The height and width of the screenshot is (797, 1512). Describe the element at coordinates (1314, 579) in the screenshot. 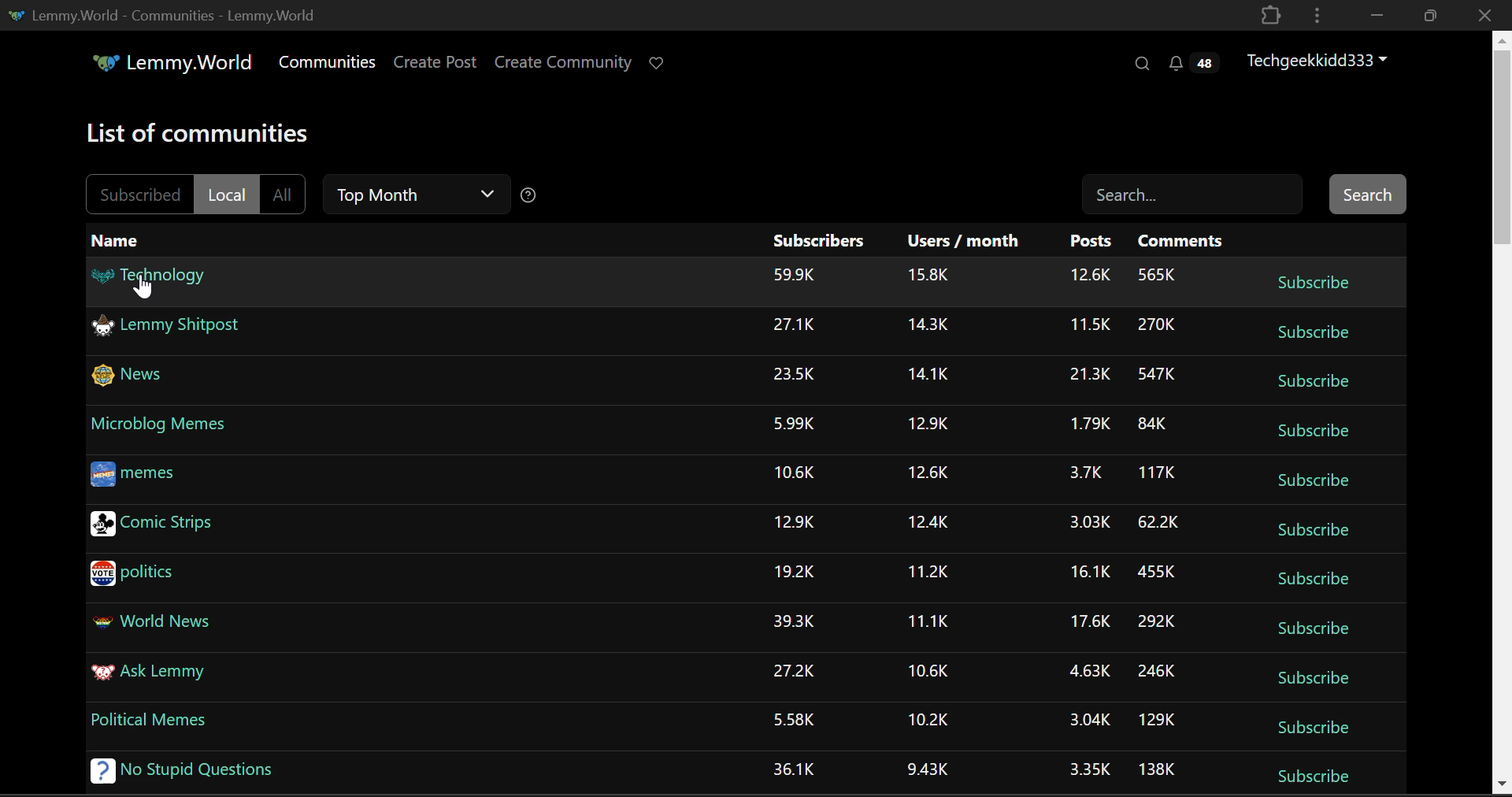

I see `Subscribe` at that location.